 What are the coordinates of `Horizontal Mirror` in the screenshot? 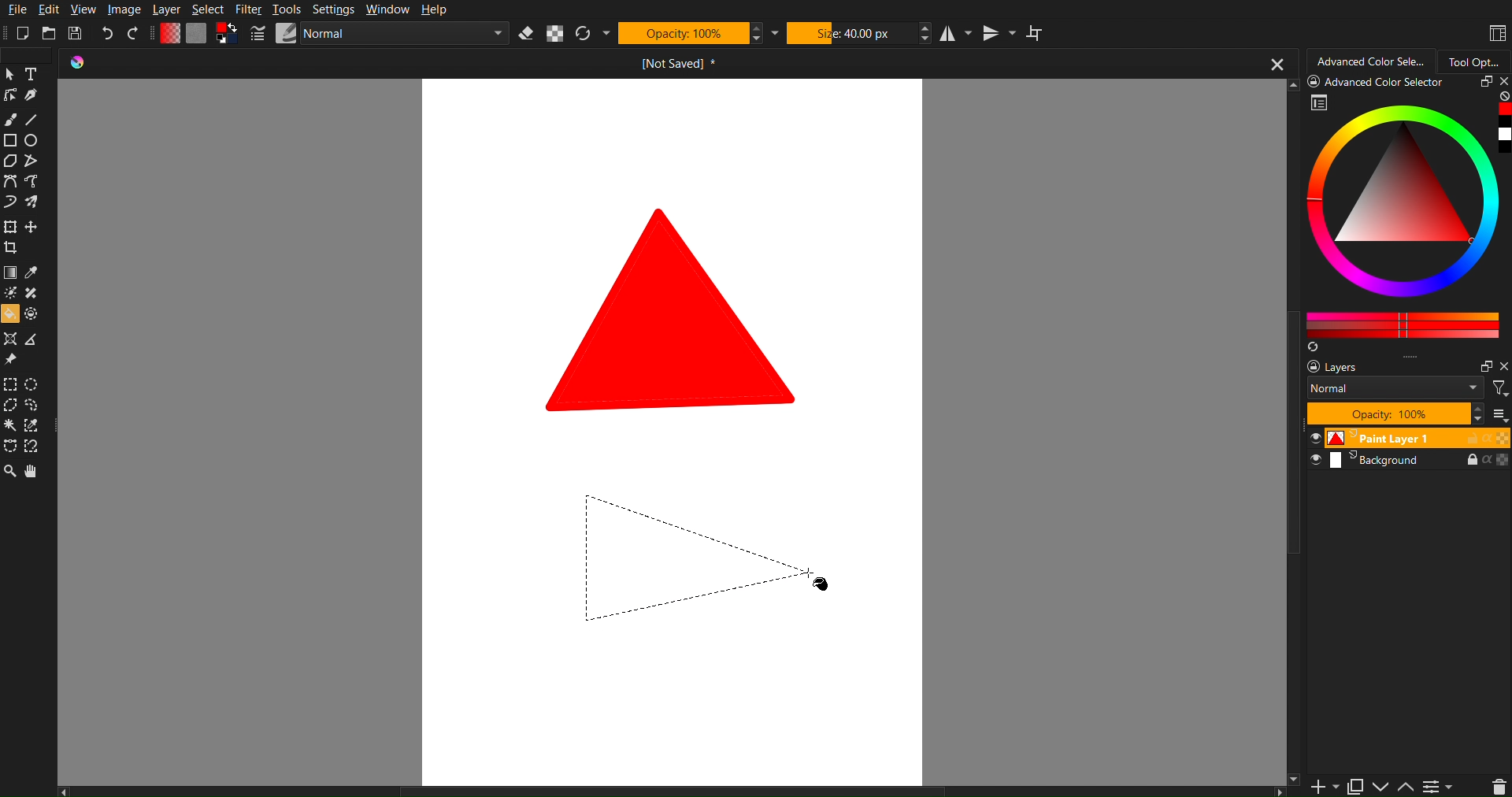 It's located at (955, 34).